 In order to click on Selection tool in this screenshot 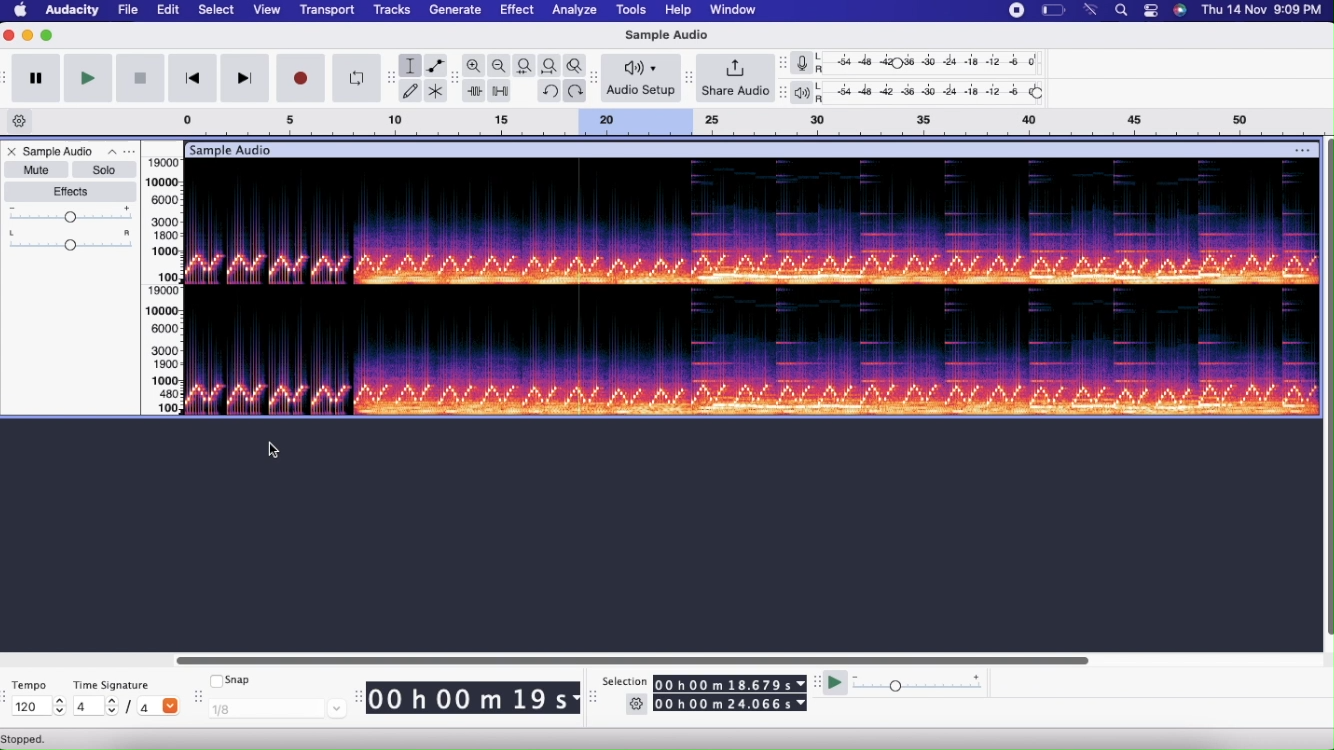, I will do `click(411, 66)`.